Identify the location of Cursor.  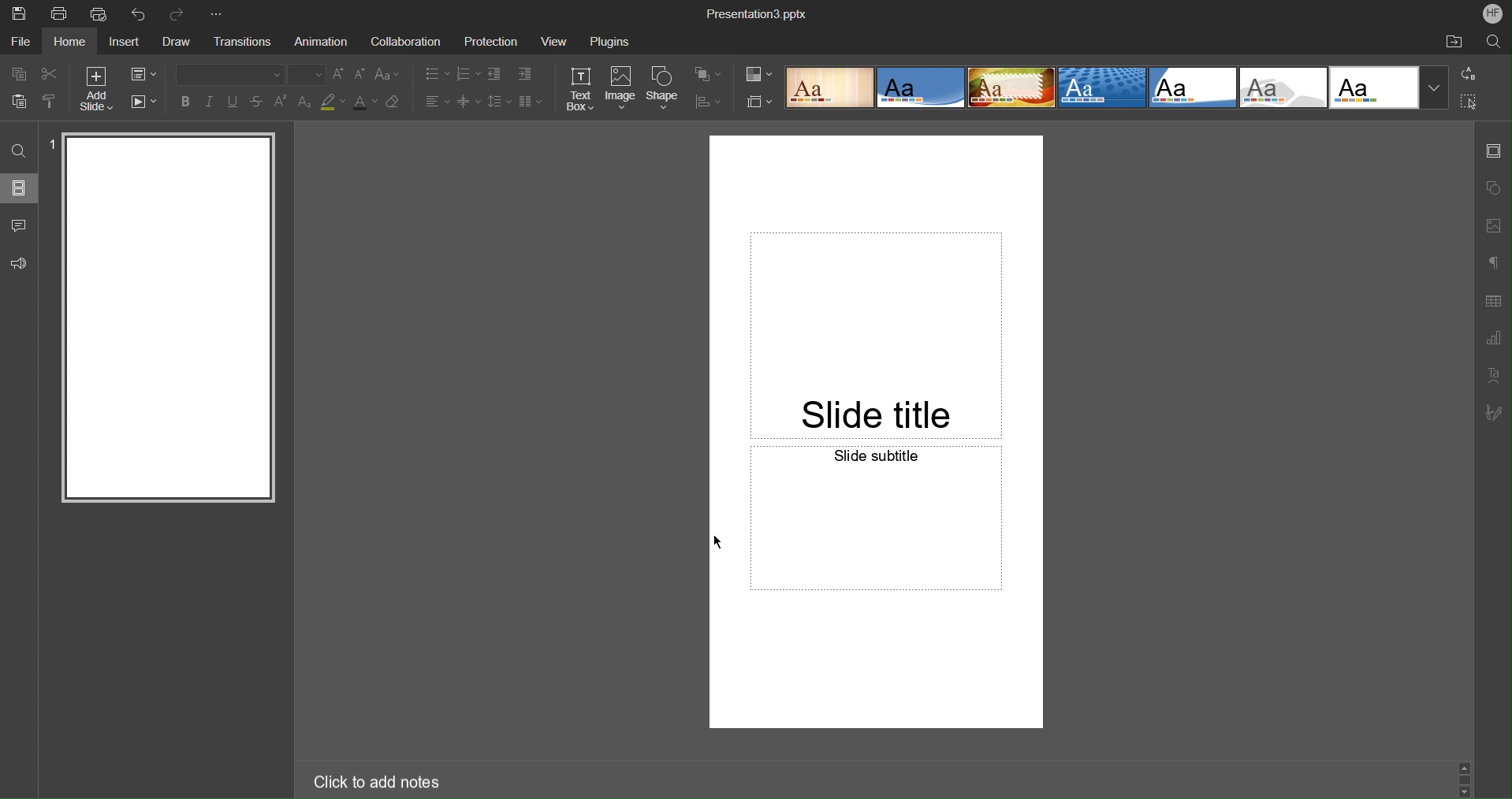
(717, 543).